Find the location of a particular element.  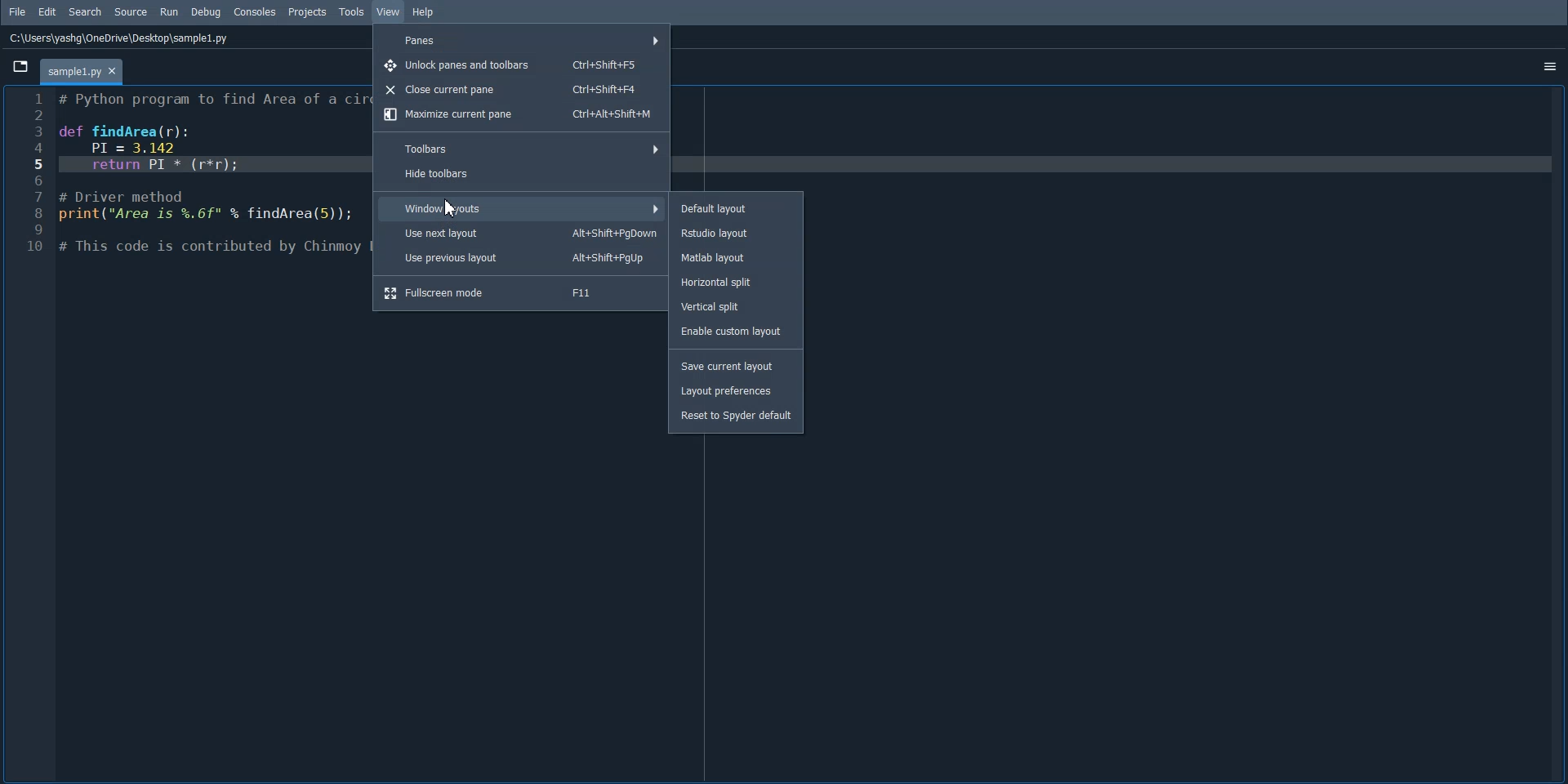

Vertical split is located at coordinates (736, 305).